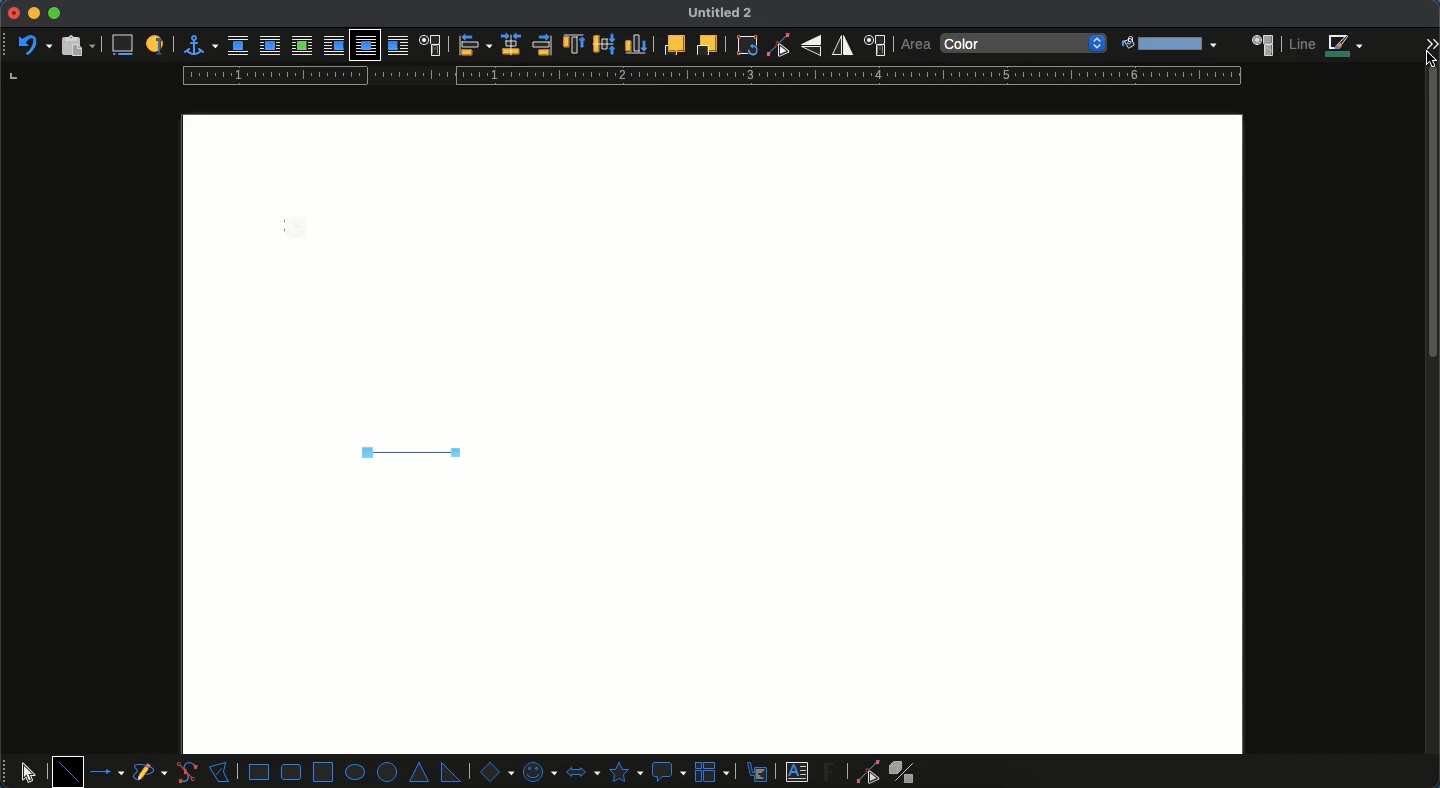 The height and width of the screenshot is (788, 1440). What do you see at coordinates (1167, 44) in the screenshot?
I see `fill color` at bounding box center [1167, 44].